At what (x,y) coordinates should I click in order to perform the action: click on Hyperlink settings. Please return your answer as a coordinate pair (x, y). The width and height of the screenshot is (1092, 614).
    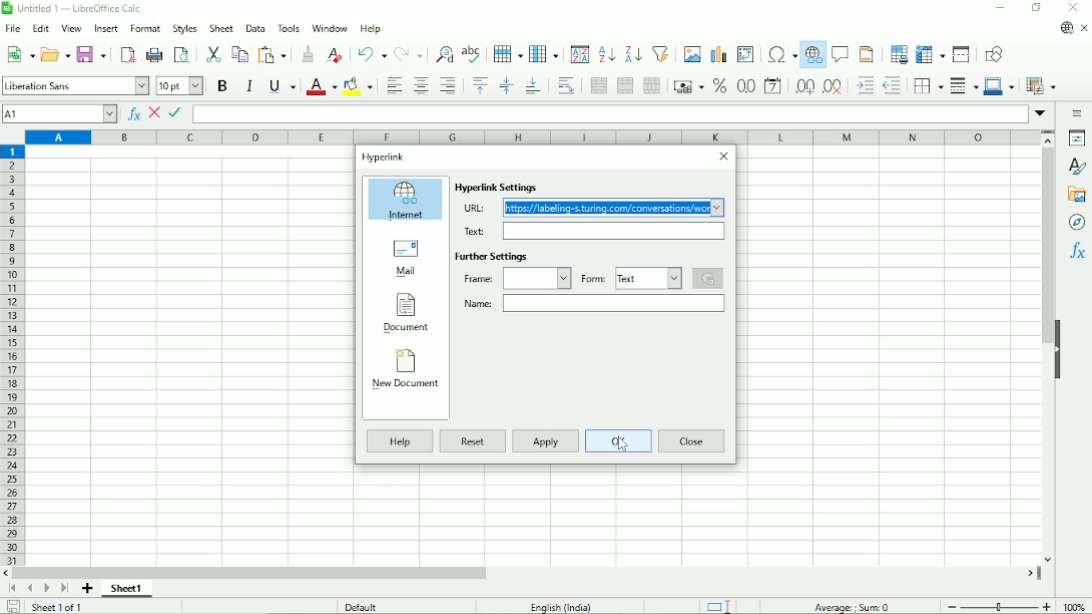
    Looking at the image, I should click on (498, 187).